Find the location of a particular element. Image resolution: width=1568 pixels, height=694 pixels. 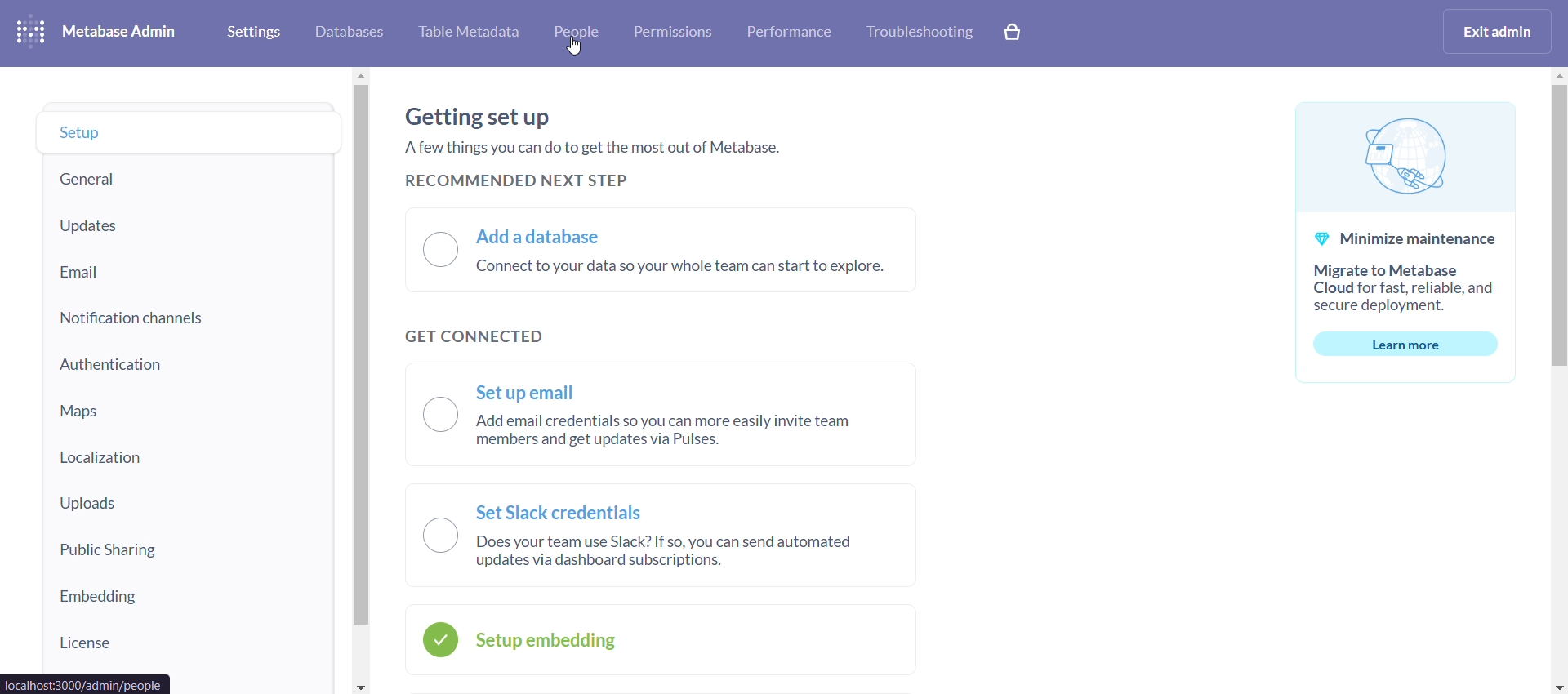

public sharing is located at coordinates (184, 555).